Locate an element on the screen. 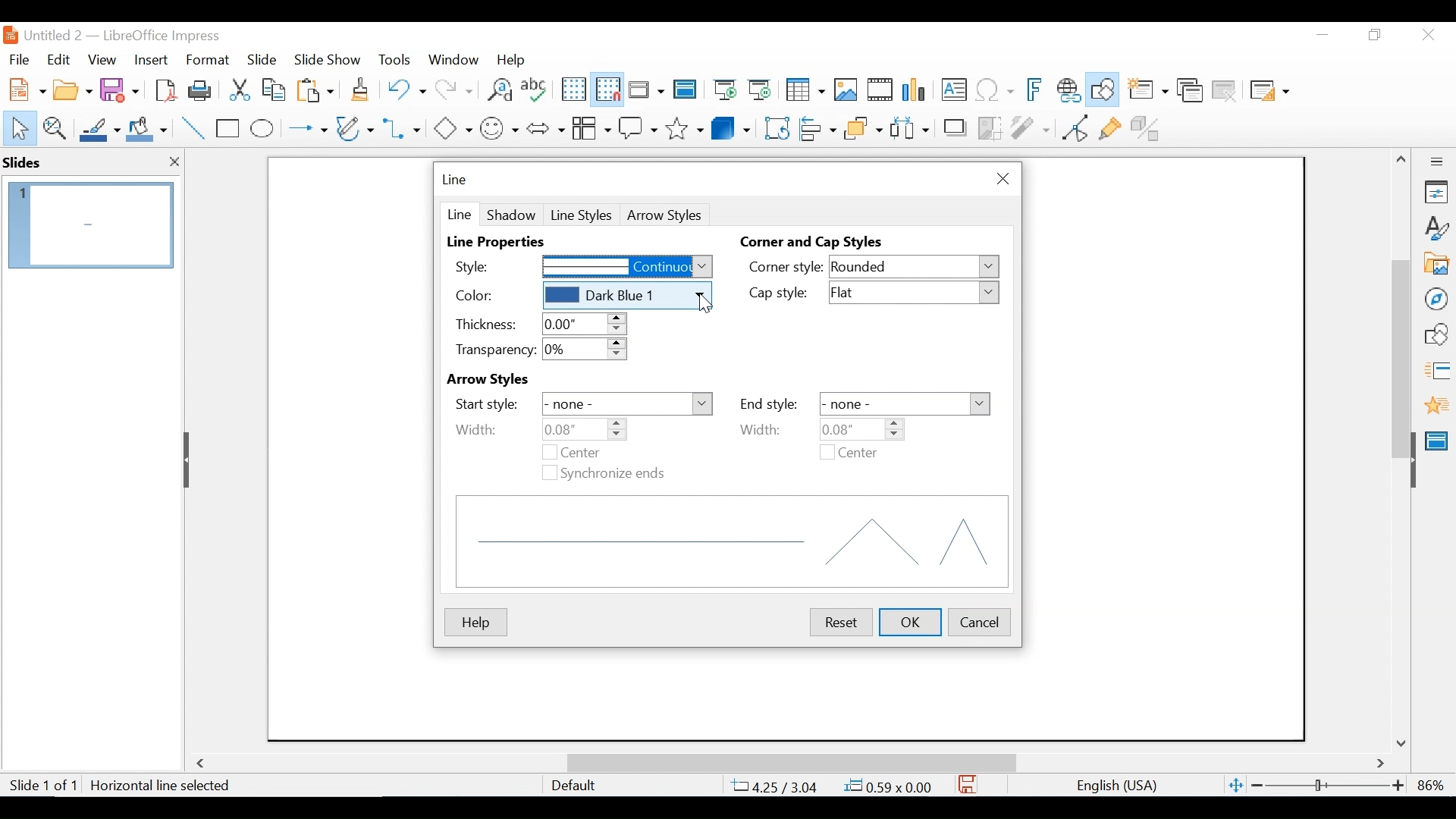  Styles is located at coordinates (1437, 229).